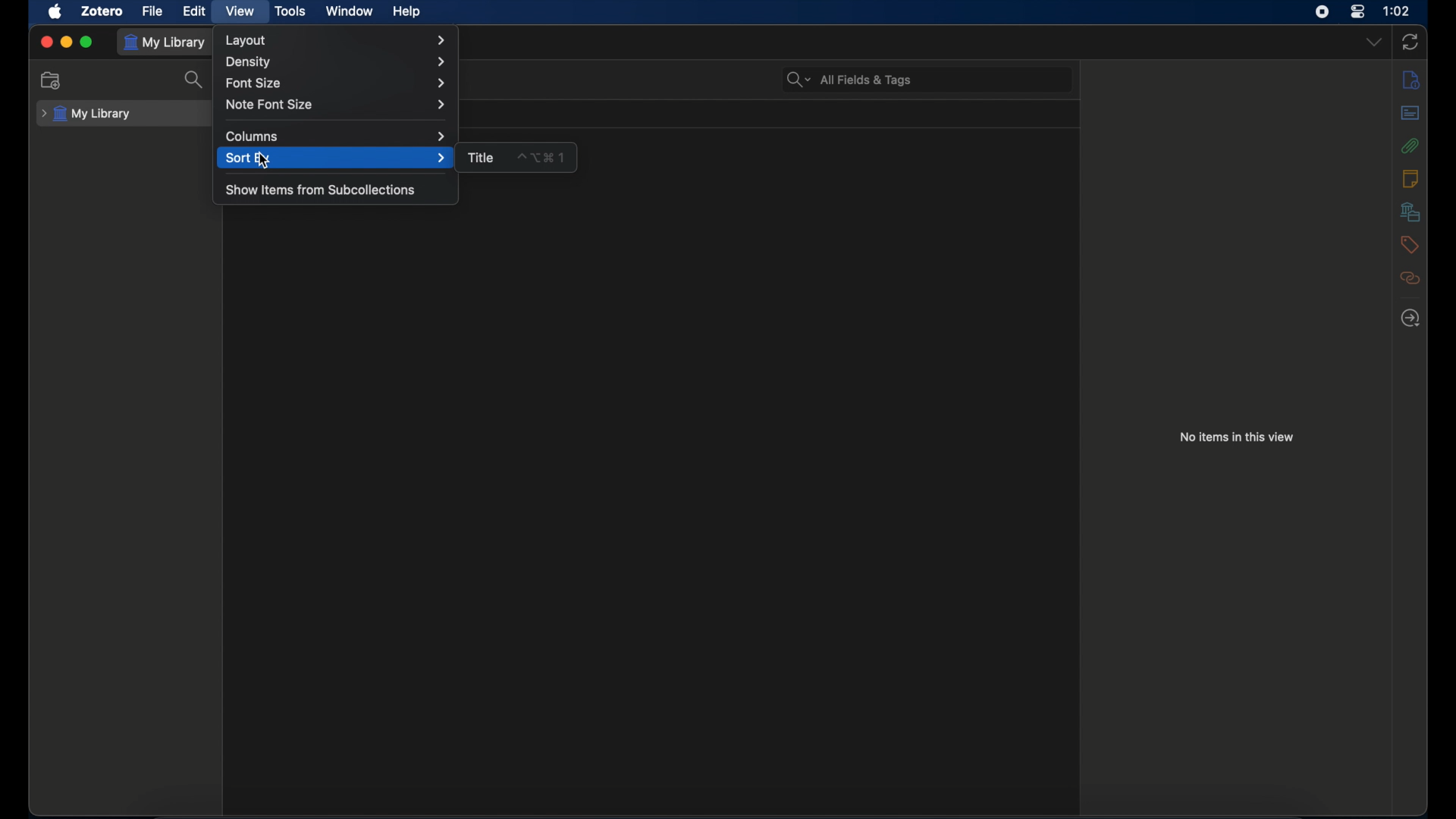 This screenshot has width=1456, height=819. I want to click on help, so click(406, 12).